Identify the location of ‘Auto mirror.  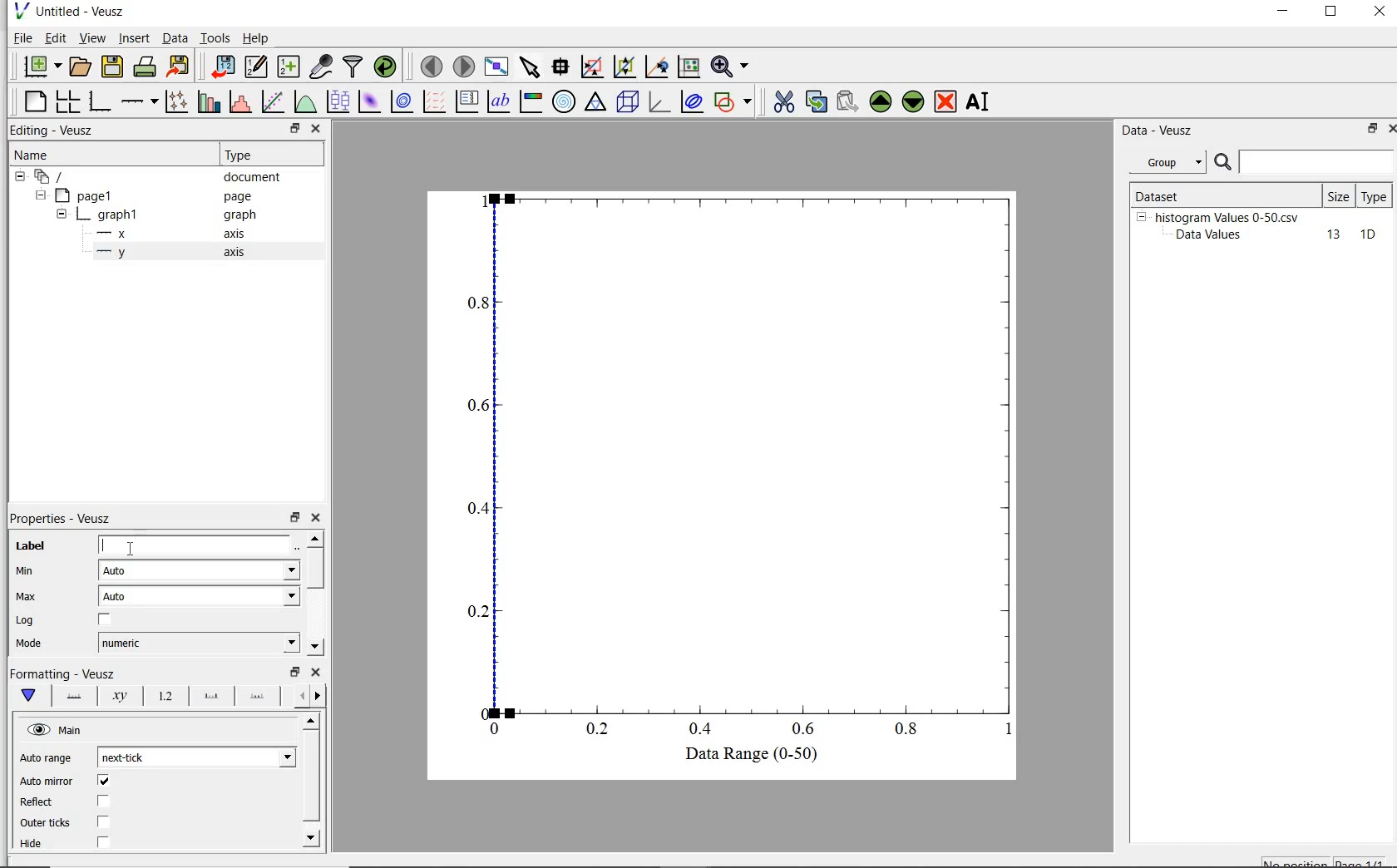
(47, 780).